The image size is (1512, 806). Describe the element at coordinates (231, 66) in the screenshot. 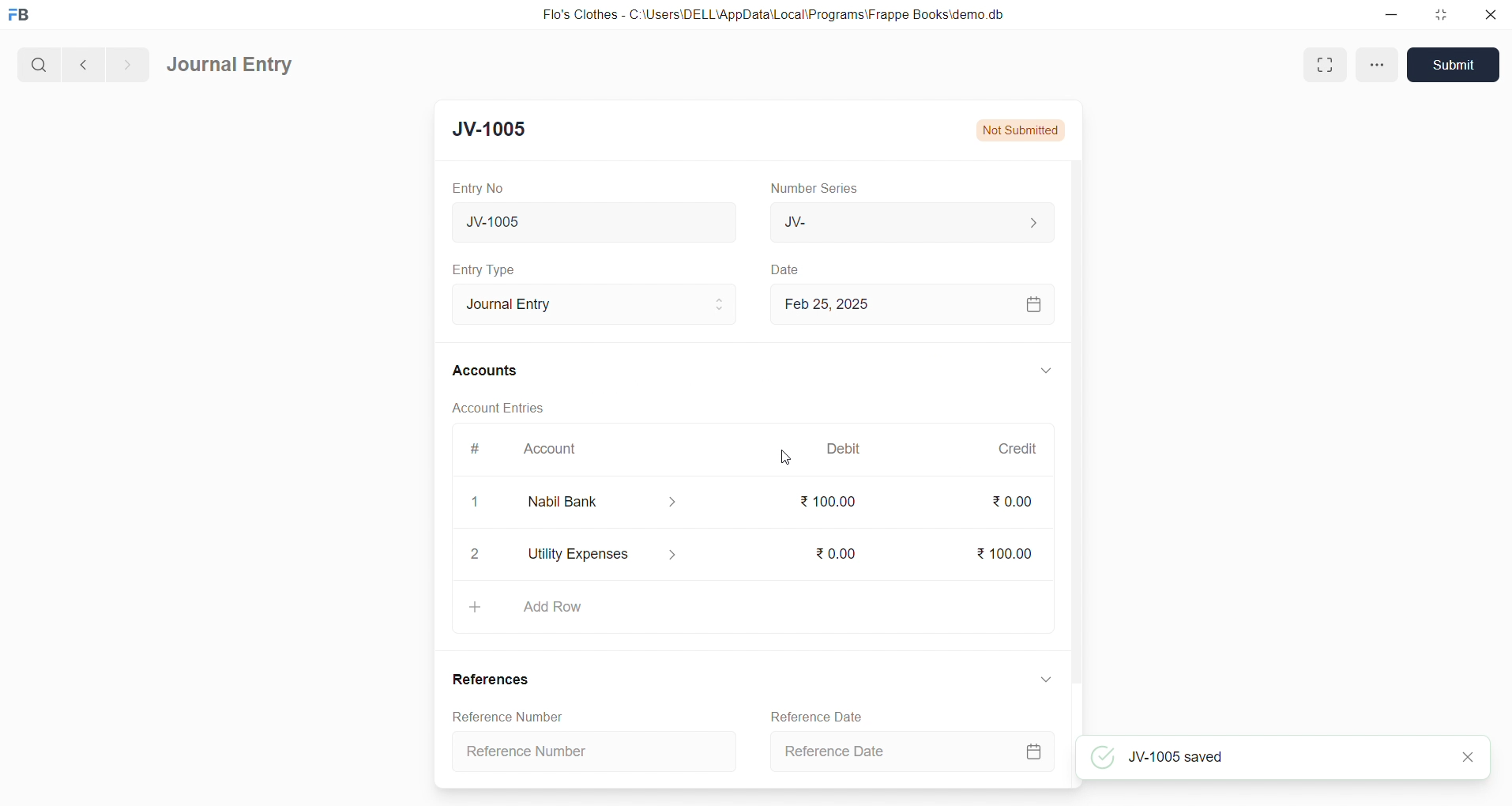

I see `Journal Entry` at that location.